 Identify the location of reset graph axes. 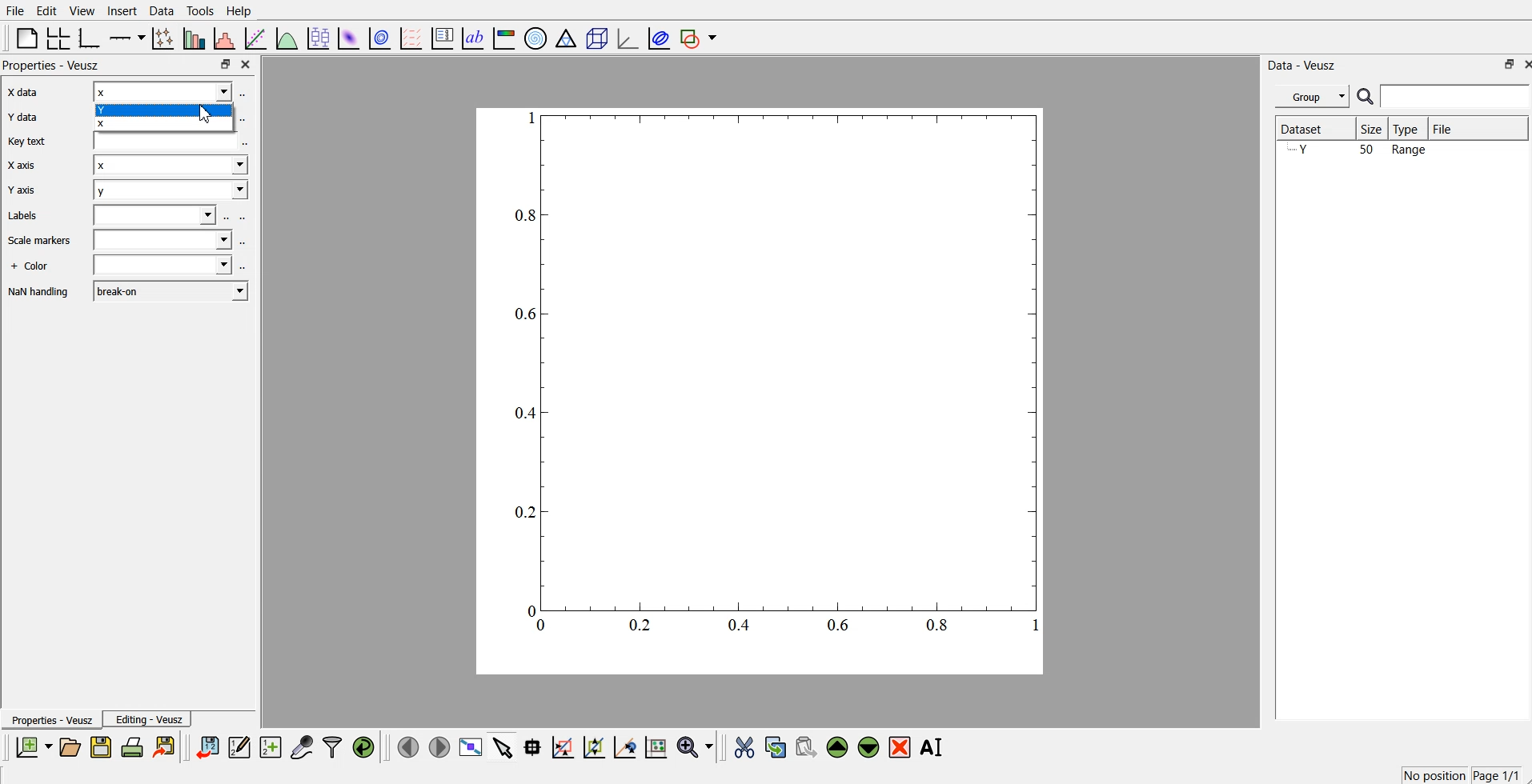
(657, 750).